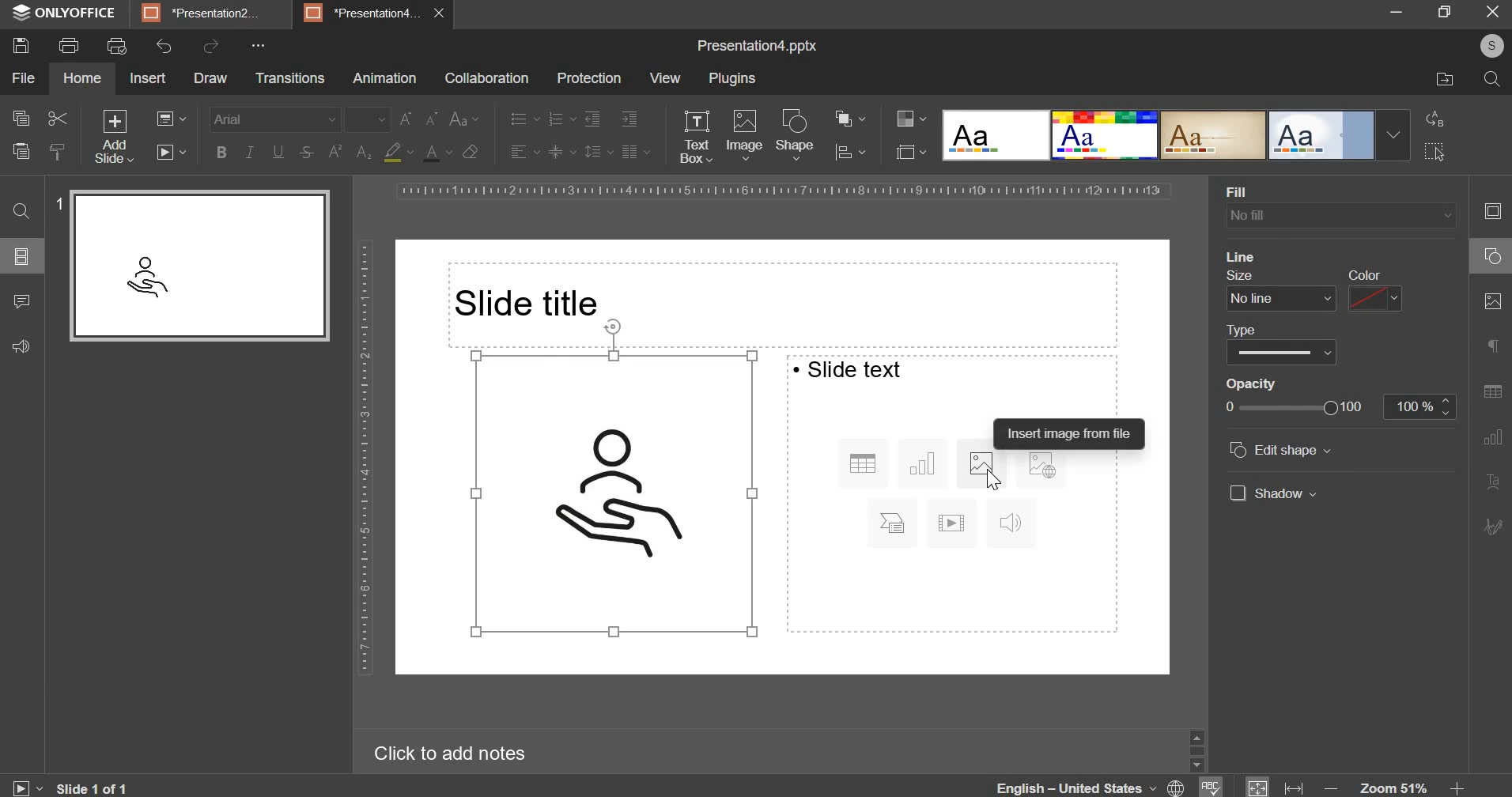  I want to click on click to add notes, so click(443, 754).